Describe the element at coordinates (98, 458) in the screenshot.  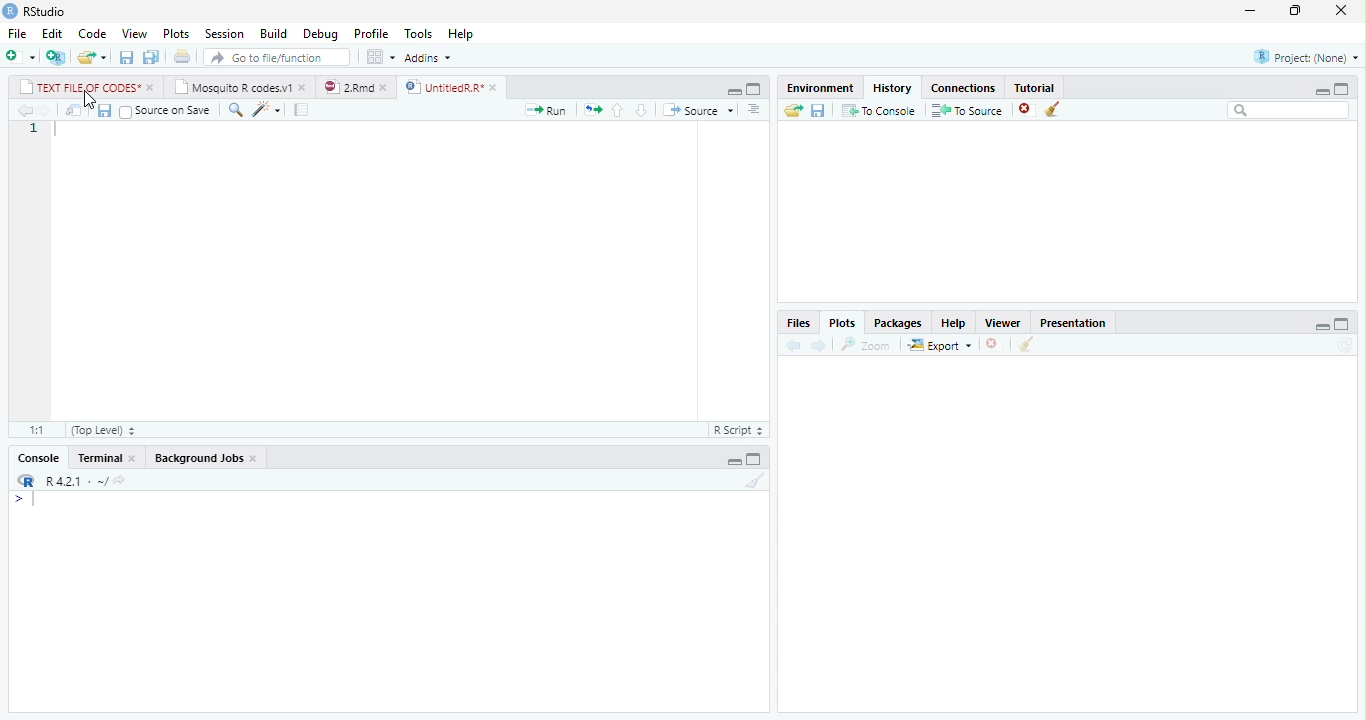
I see `Terminal` at that location.